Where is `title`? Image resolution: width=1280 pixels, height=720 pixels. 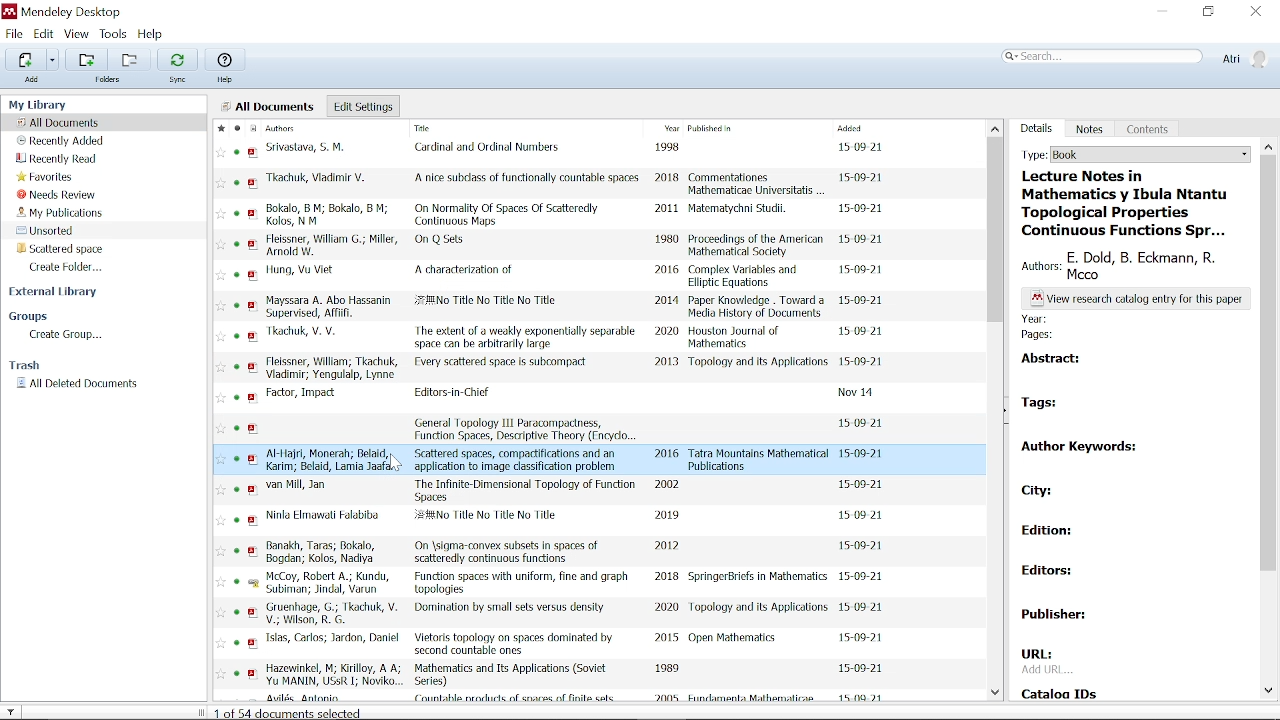 title is located at coordinates (528, 178).